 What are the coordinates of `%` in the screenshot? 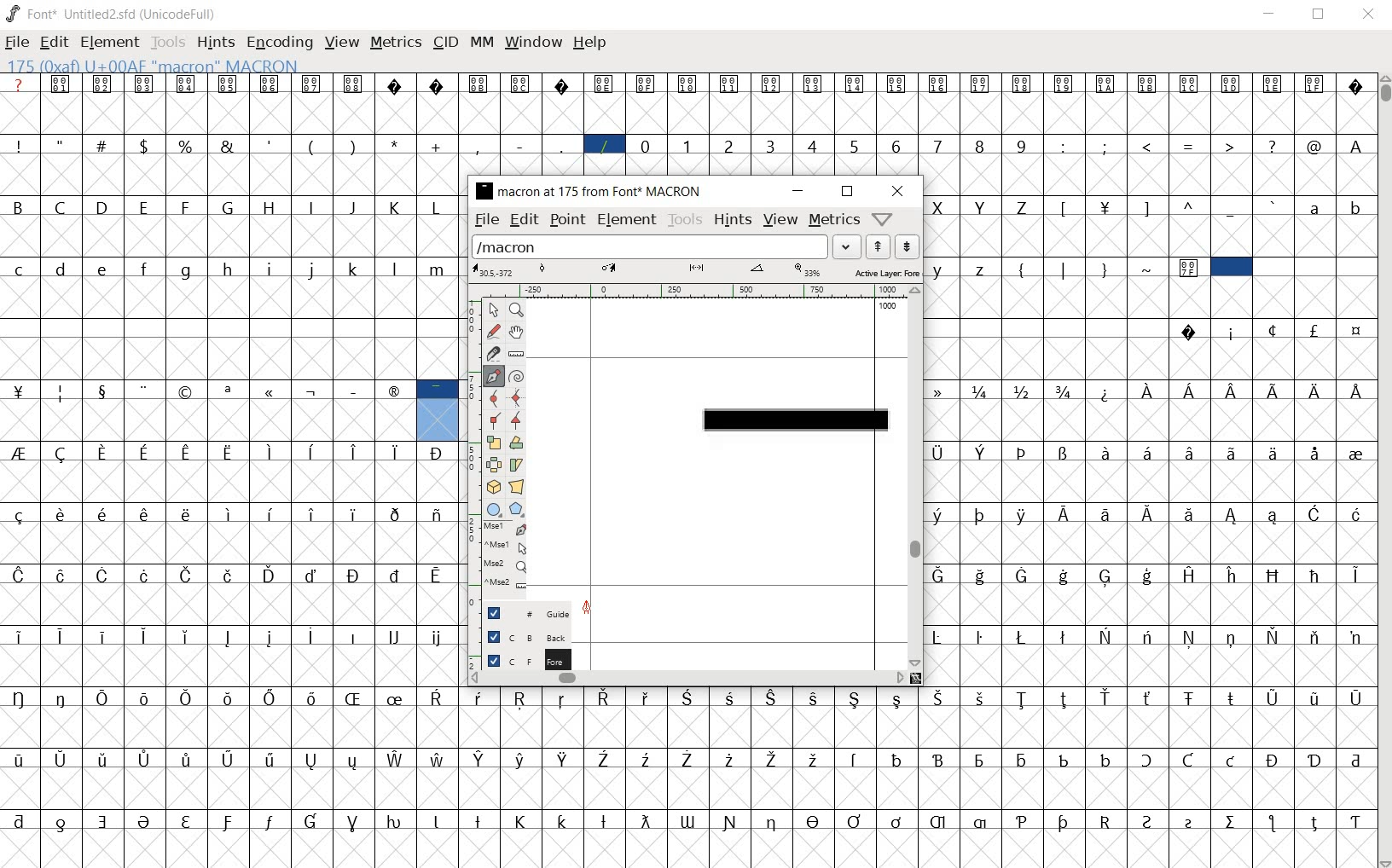 It's located at (187, 144).